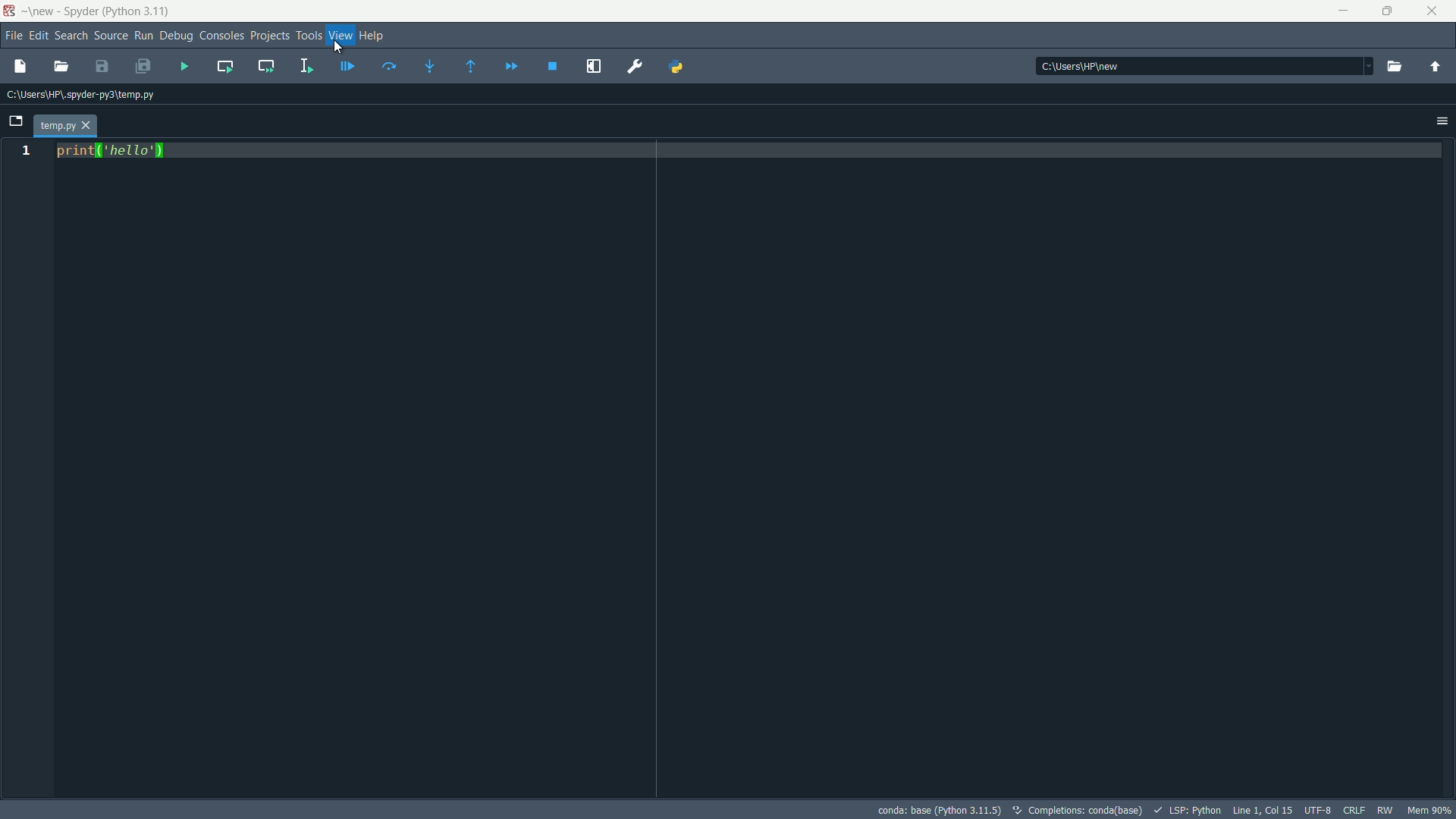 Image resolution: width=1456 pixels, height=819 pixels. Describe the element at coordinates (1078, 65) in the screenshot. I see `c:\users\hp\new` at that location.